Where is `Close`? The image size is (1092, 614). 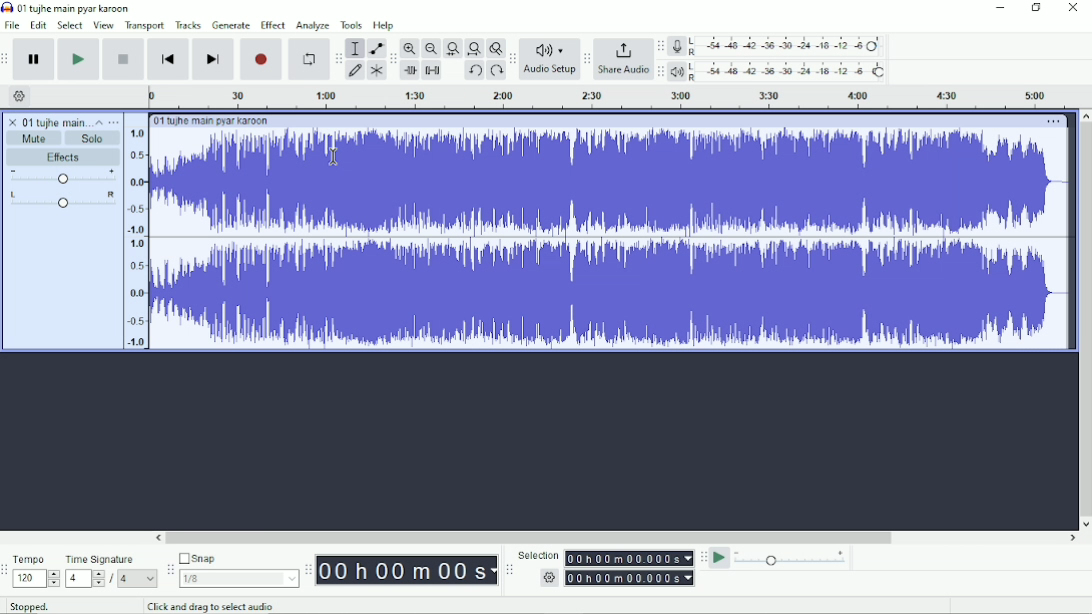 Close is located at coordinates (1072, 10).